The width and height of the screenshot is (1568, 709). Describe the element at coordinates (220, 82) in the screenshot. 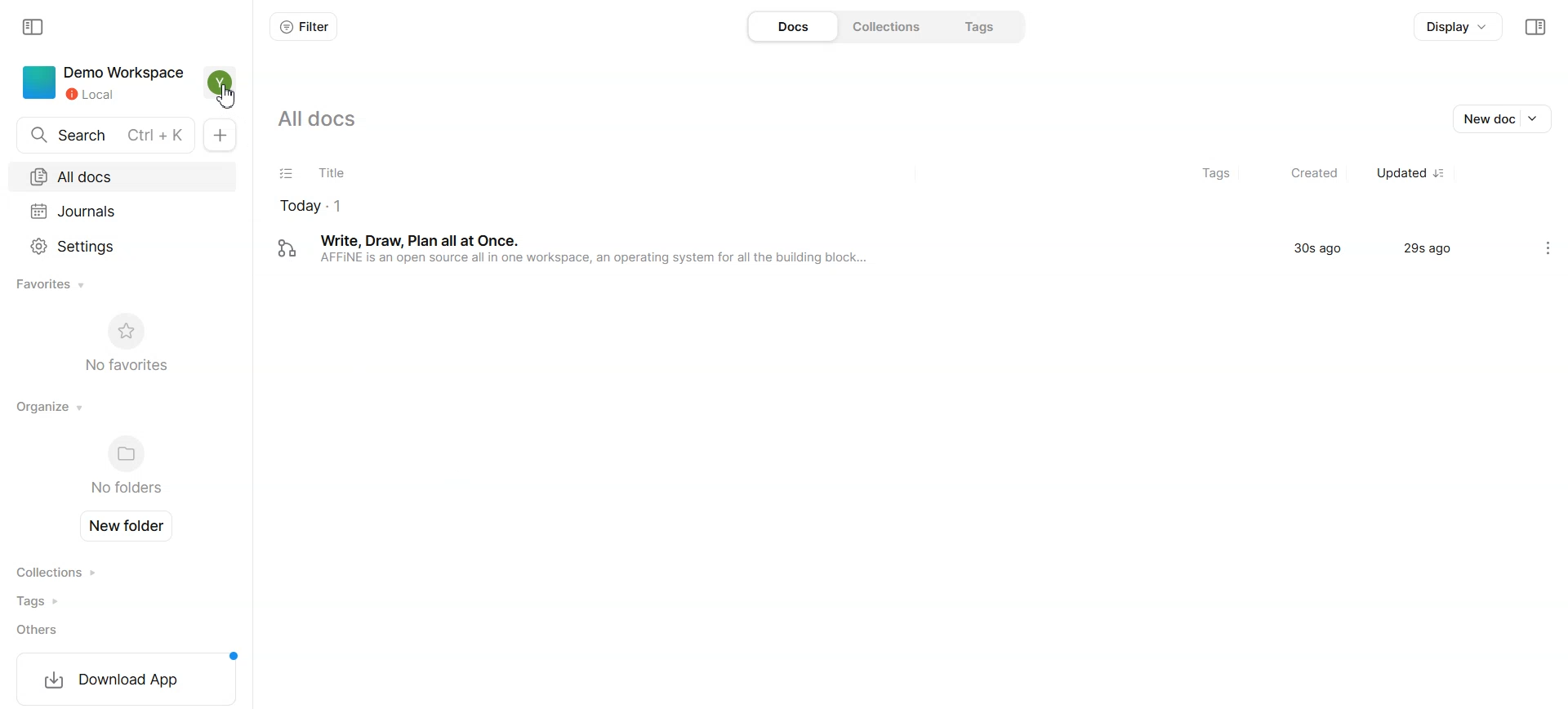

I see `Profile` at that location.